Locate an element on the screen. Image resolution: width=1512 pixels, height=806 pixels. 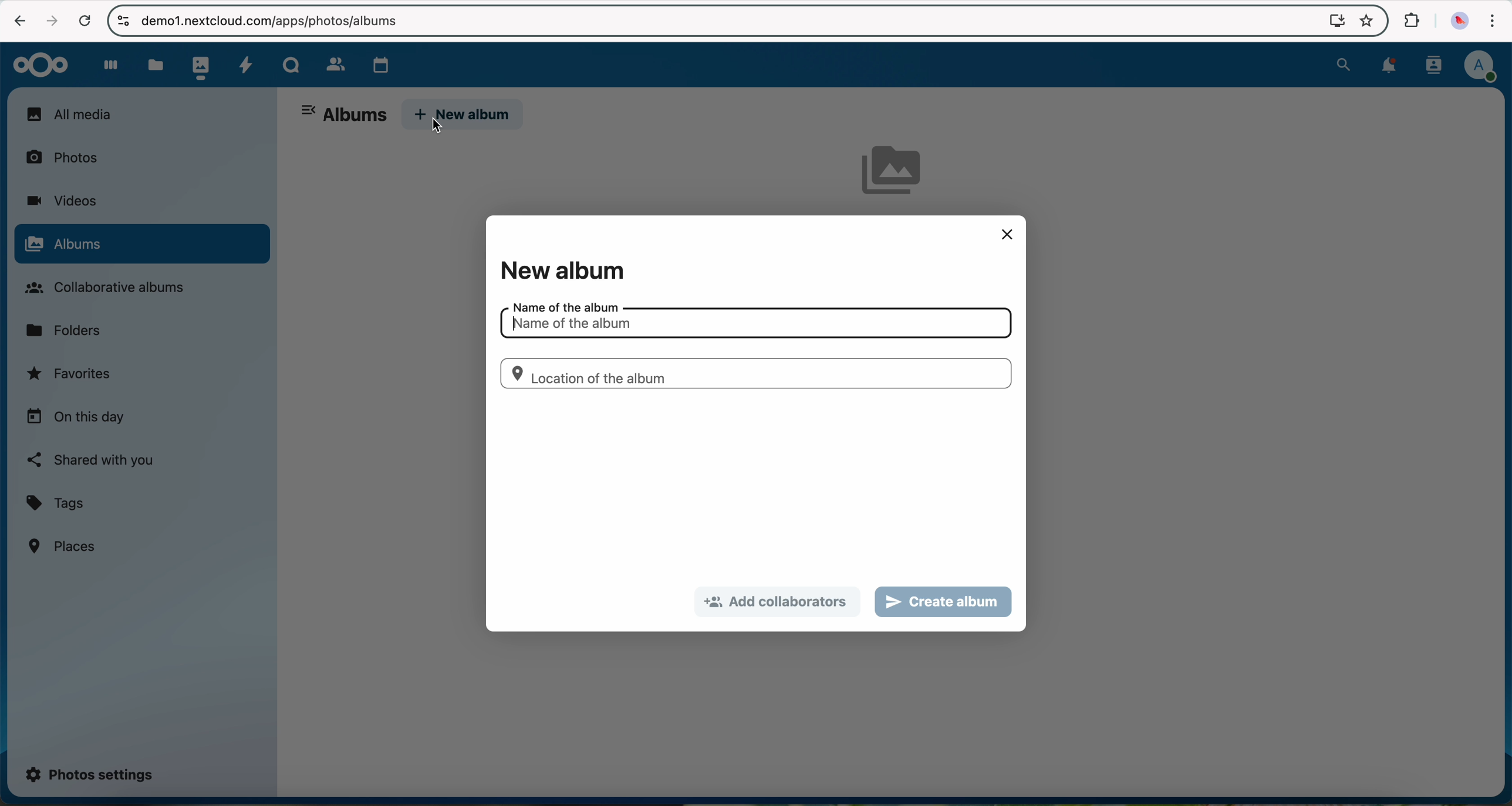
contacts is located at coordinates (1430, 65).